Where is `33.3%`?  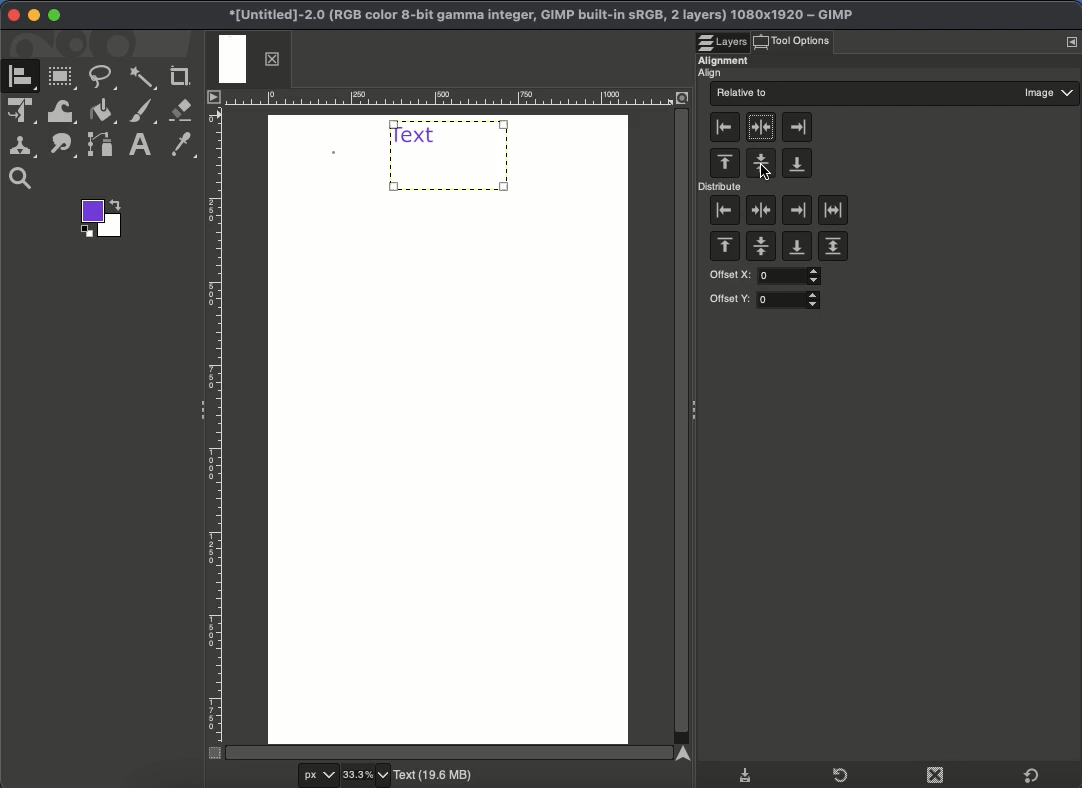
33.3% is located at coordinates (367, 775).